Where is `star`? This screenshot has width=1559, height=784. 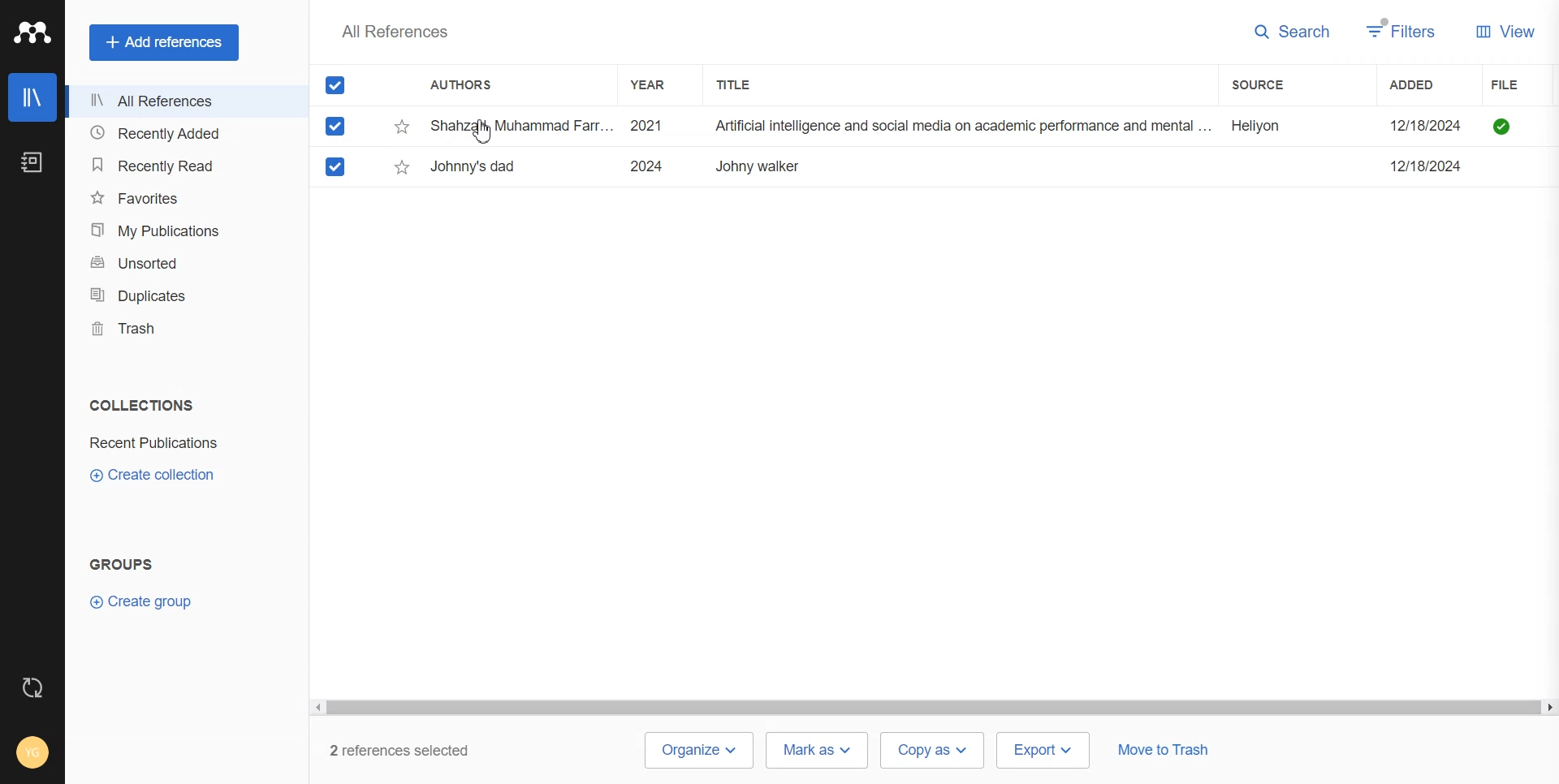
star is located at coordinates (403, 127).